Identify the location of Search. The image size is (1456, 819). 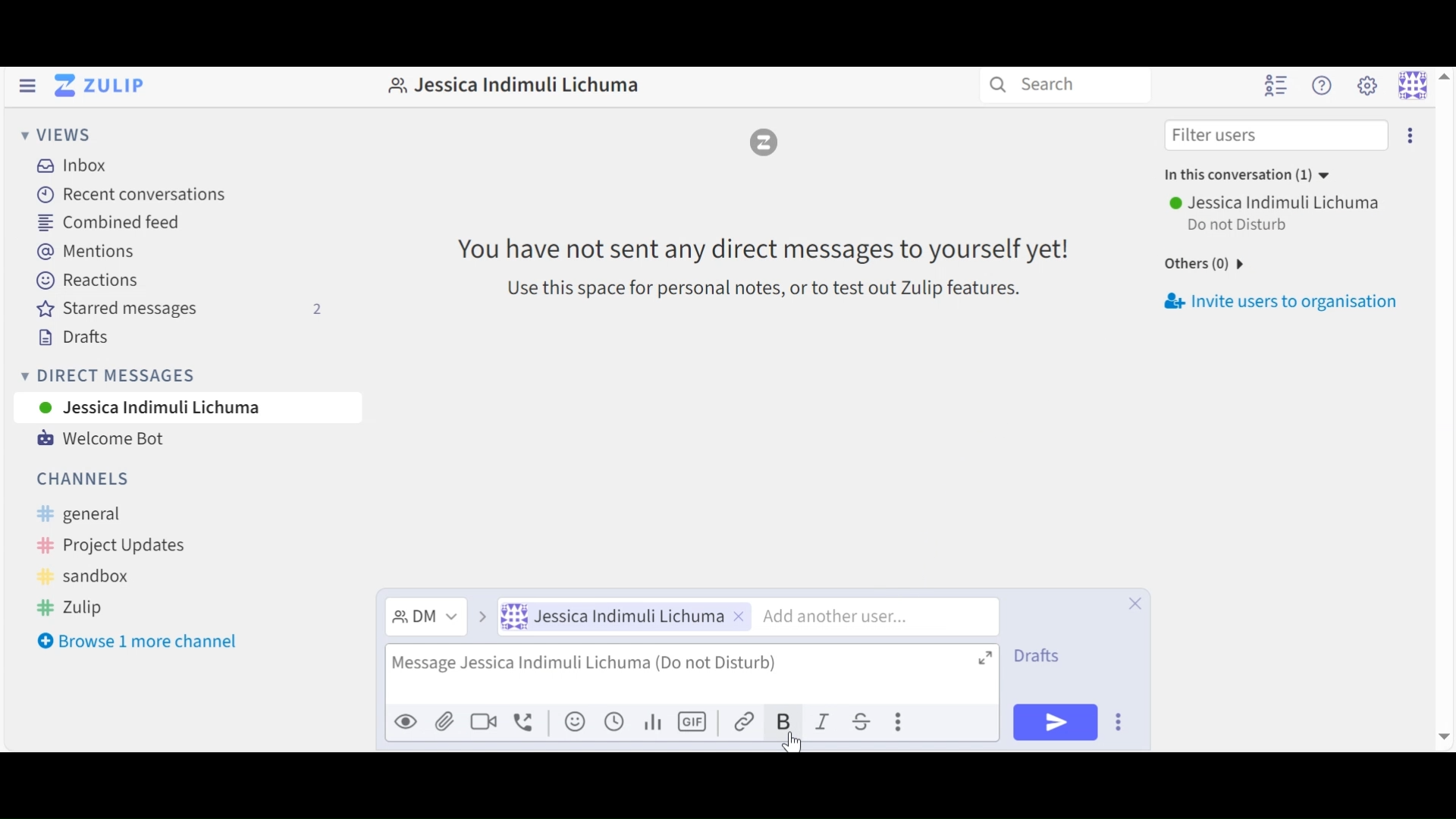
(1033, 84).